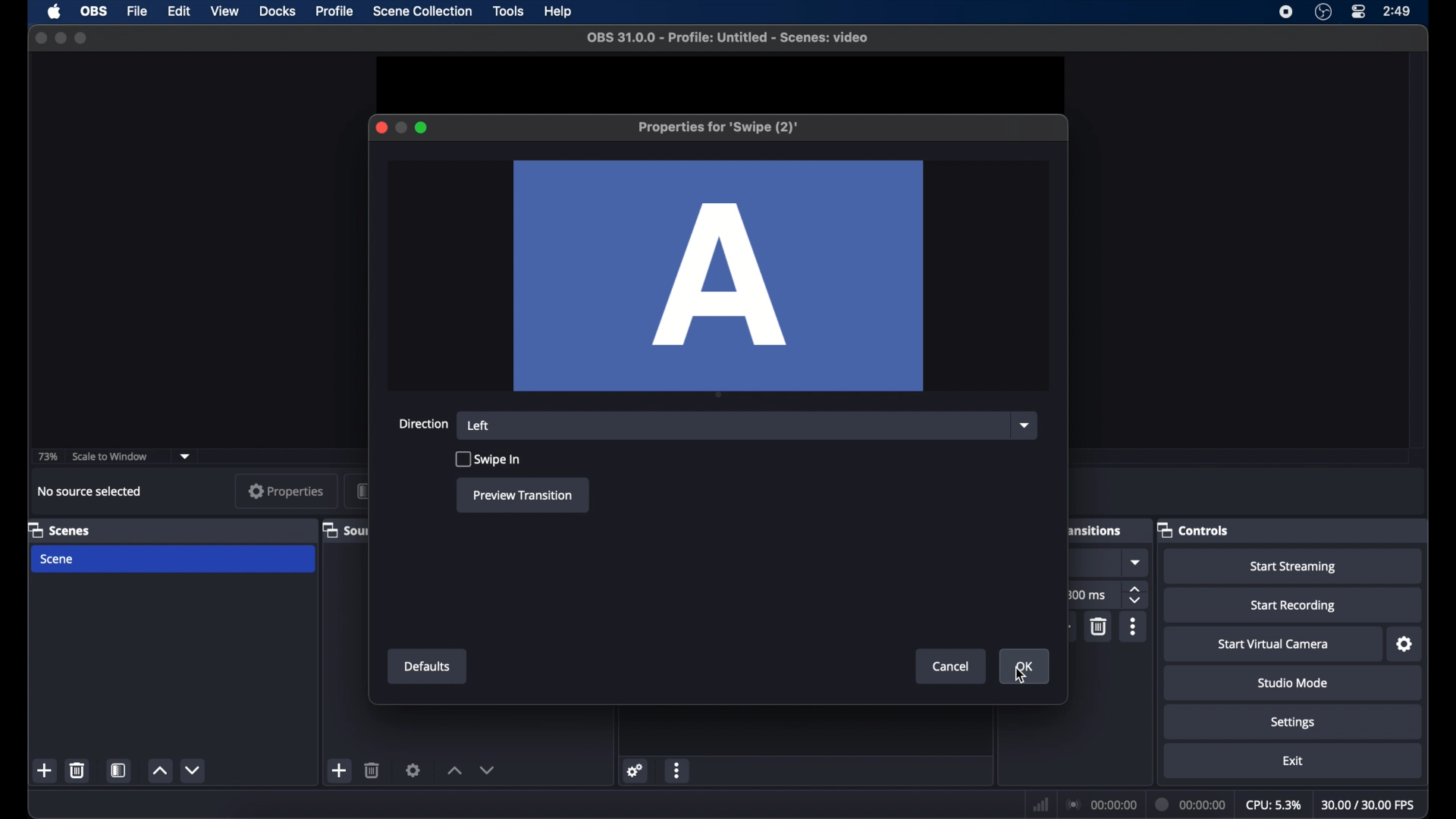 The height and width of the screenshot is (819, 1456). Describe the element at coordinates (1272, 805) in the screenshot. I see `cpu` at that location.